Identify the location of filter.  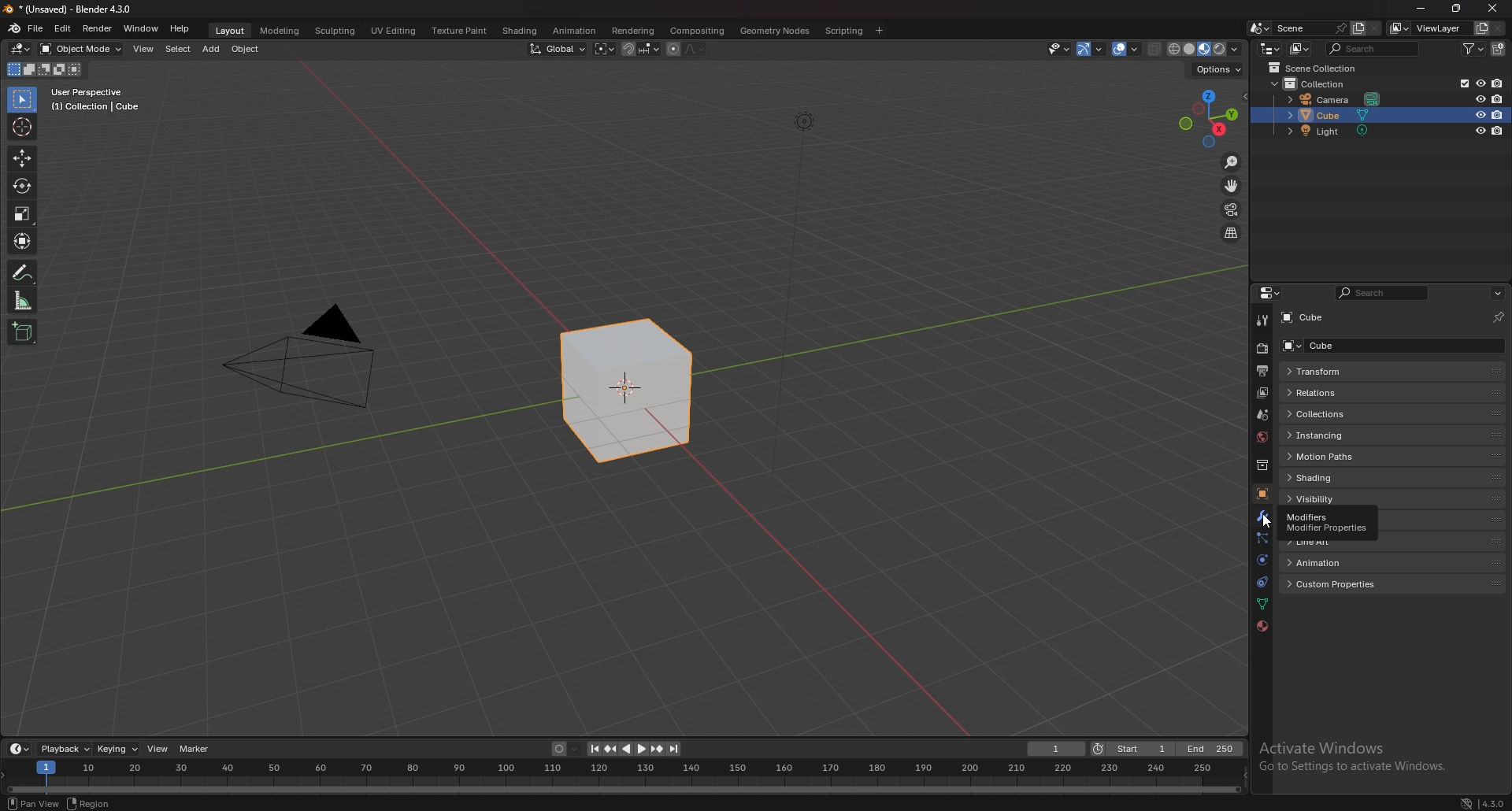
(1476, 48).